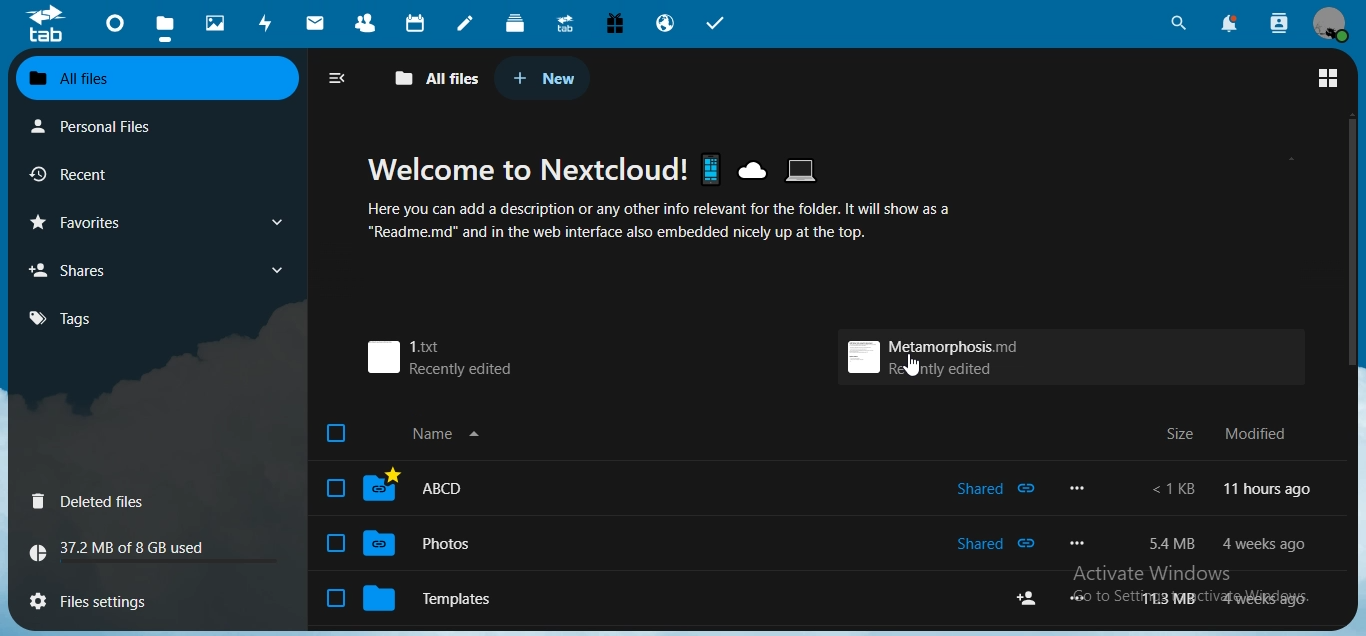 The height and width of the screenshot is (636, 1366). I want to click on mail, so click(316, 24).